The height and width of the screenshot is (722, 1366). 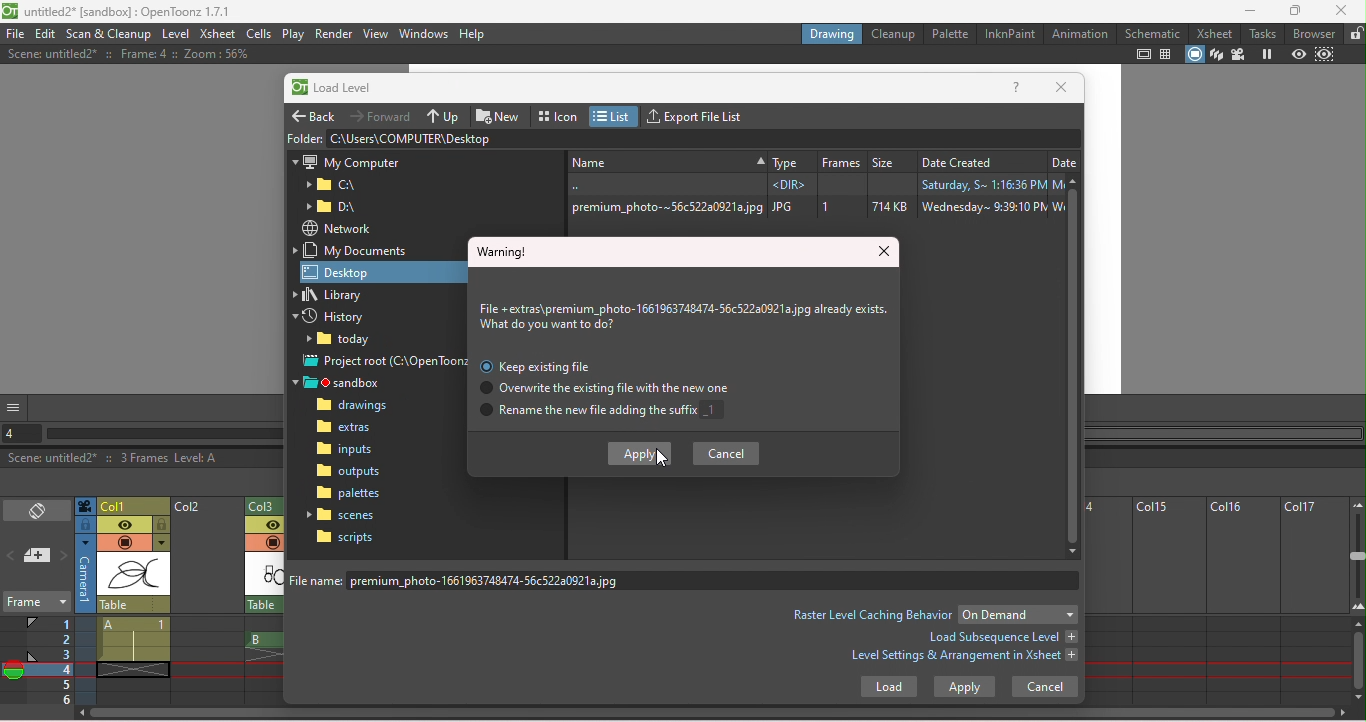 I want to click on Forward, so click(x=383, y=115).